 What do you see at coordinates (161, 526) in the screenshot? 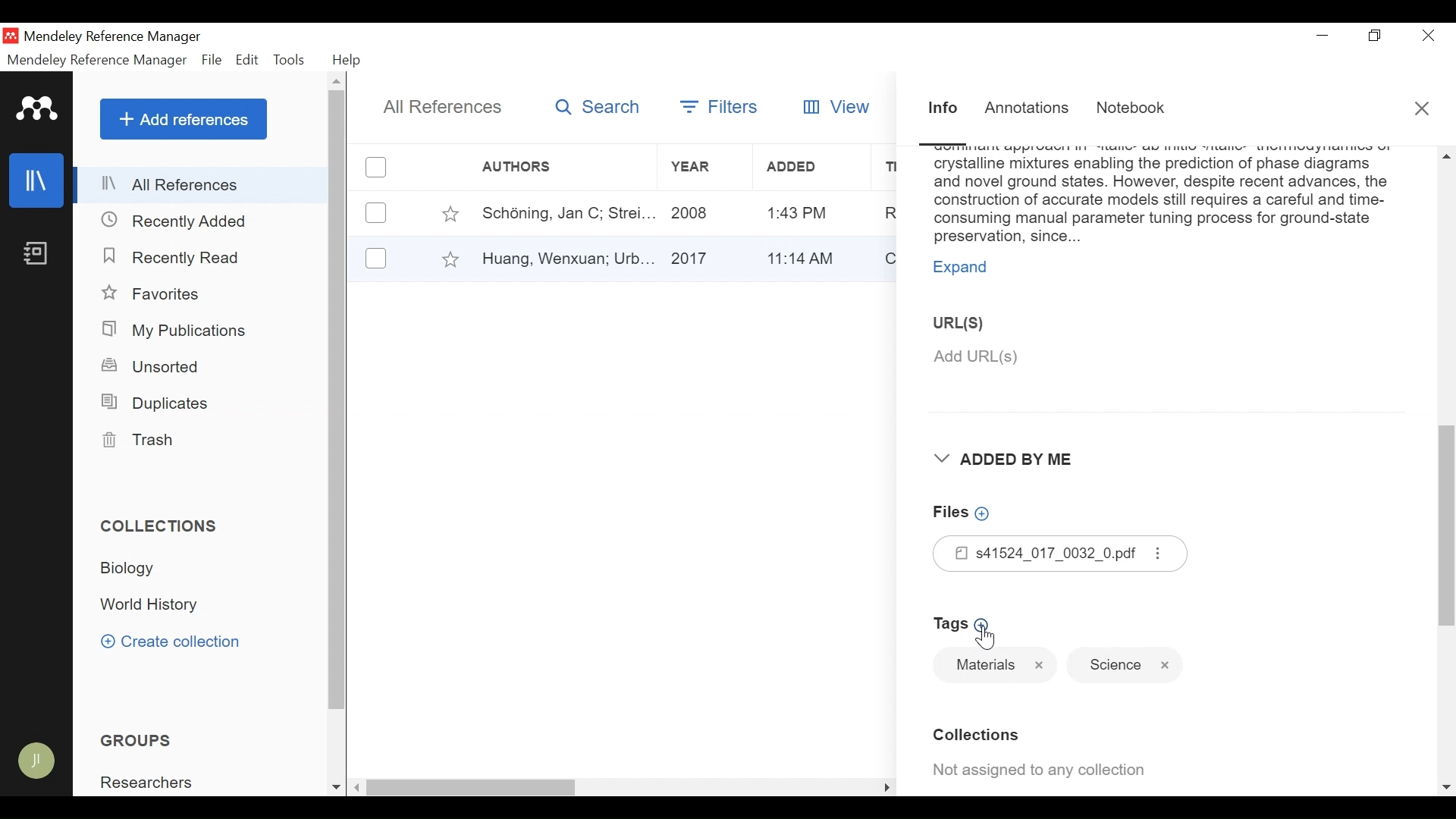
I see `Collections` at bounding box center [161, 526].